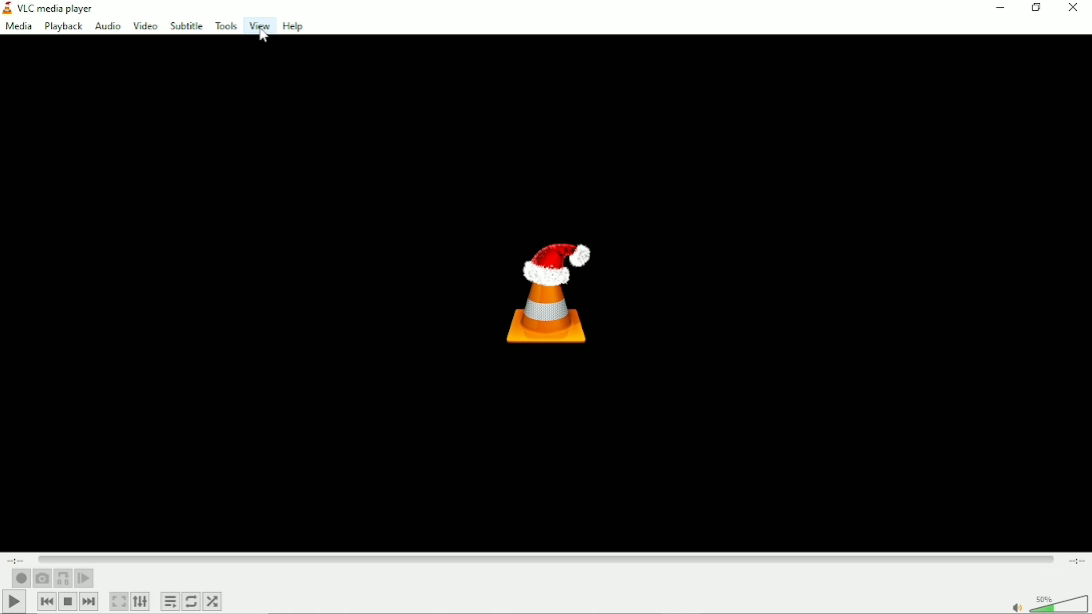  Describe the element at coordinates (60, 7) in the screenshot. I see `VLC media player` at that location.